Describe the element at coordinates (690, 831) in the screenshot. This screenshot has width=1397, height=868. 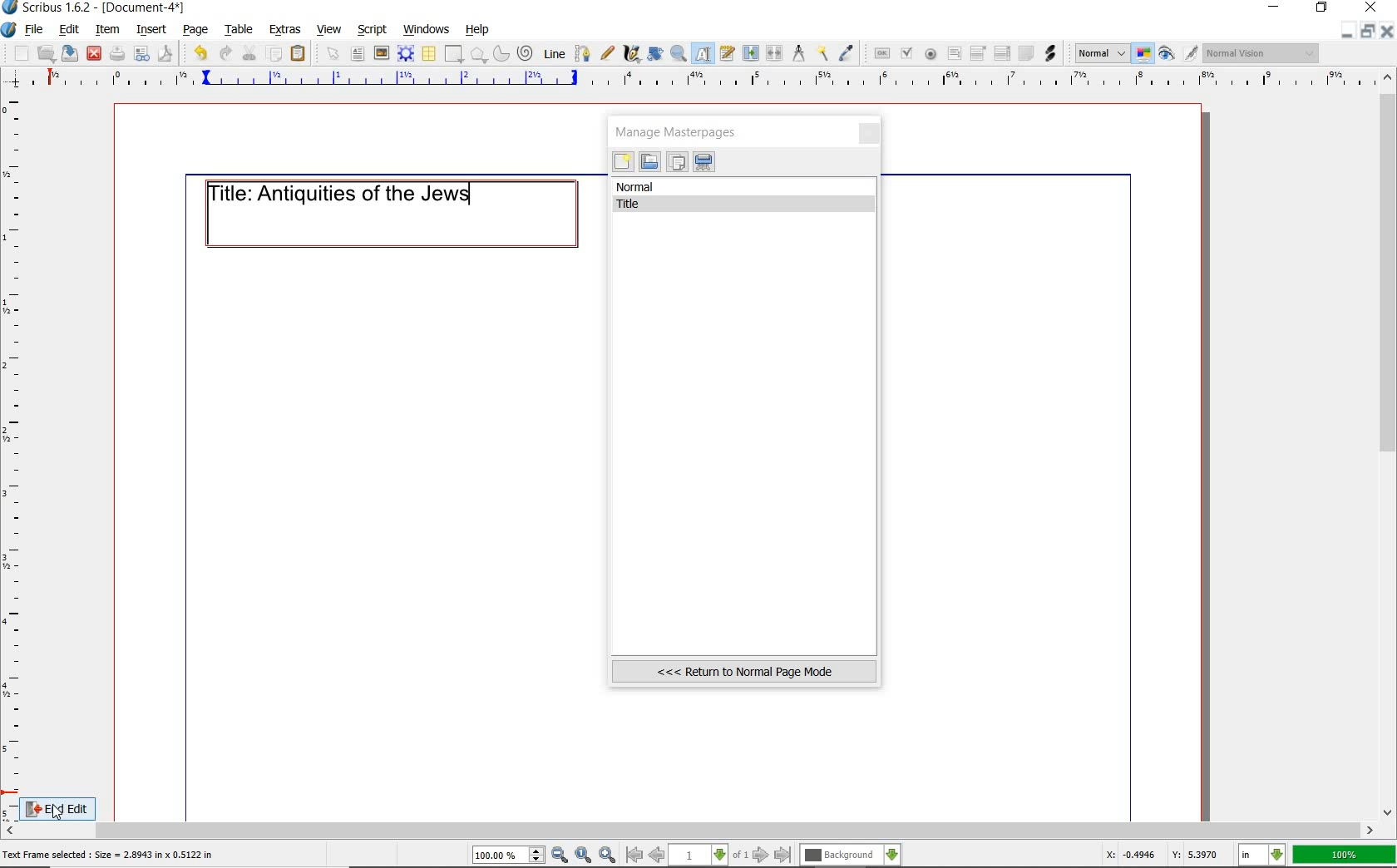
I see `scrollbar` at that location.